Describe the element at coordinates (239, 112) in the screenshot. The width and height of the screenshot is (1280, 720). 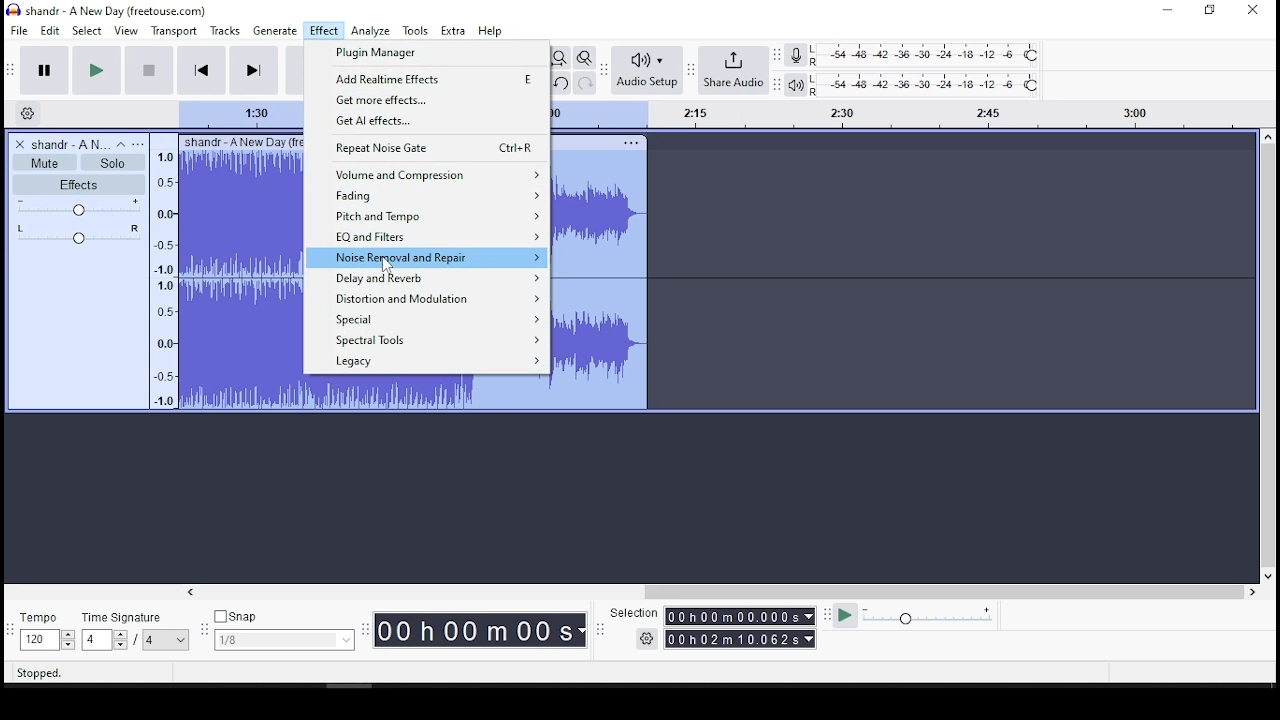
I see `track's timing` at that location.